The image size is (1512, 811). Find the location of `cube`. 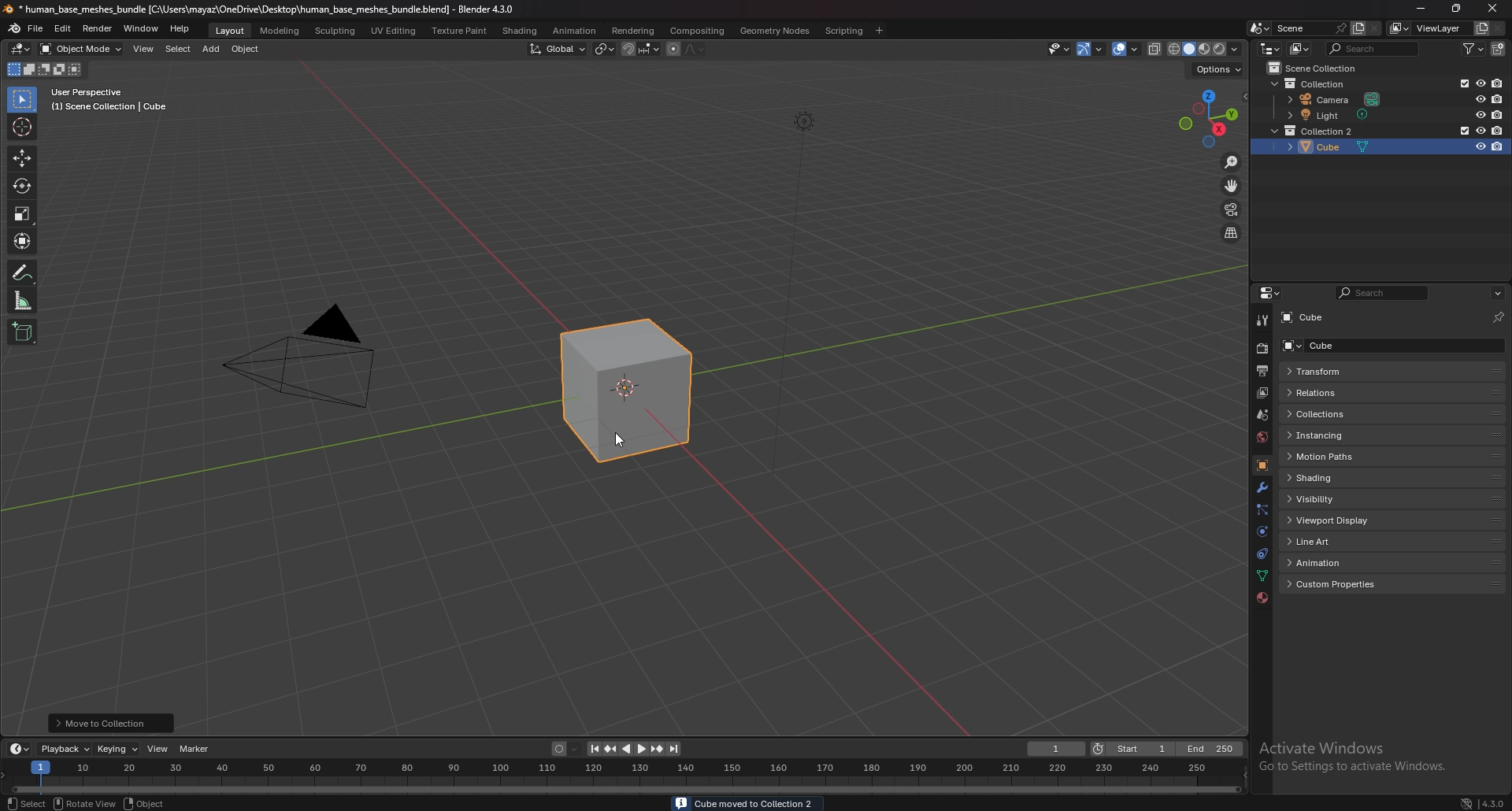

cube is located at coordinates (1307, 318).